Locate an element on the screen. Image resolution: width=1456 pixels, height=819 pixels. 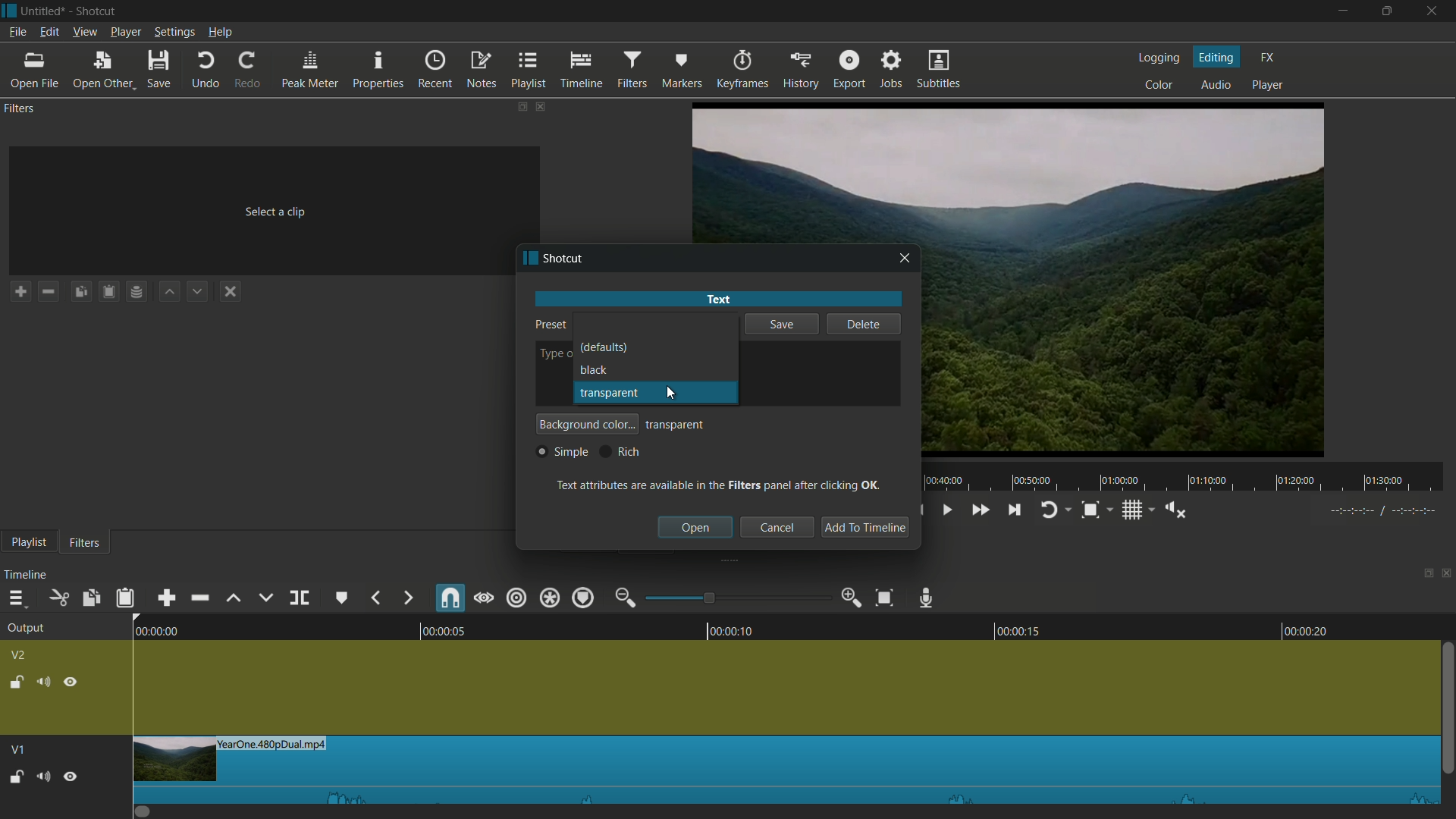
peak meter is located at coordinates (310, 71).